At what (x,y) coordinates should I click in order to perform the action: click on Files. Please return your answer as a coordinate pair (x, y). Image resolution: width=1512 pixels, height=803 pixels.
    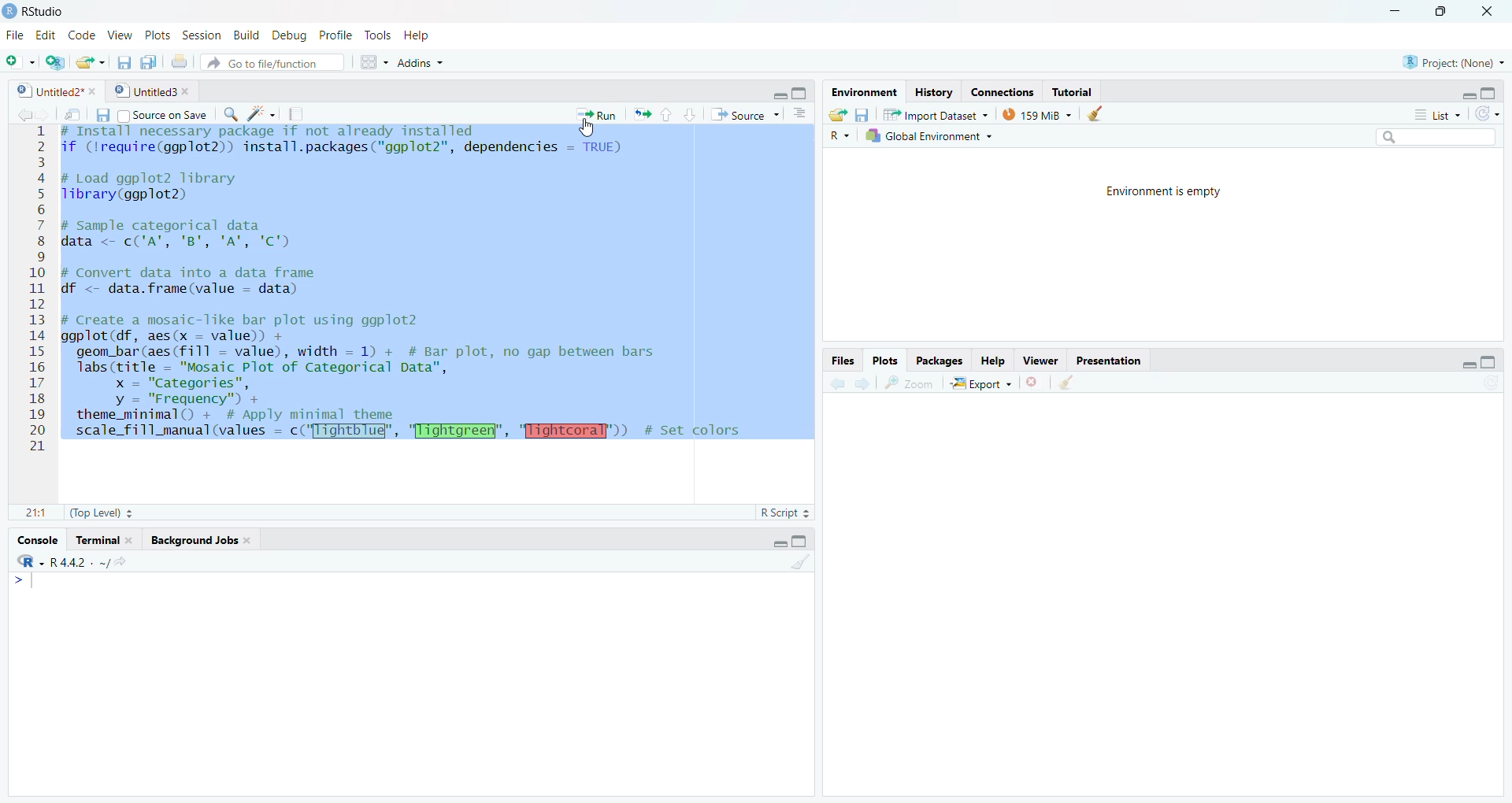
    Looking at the image, I should click on (843, 362).